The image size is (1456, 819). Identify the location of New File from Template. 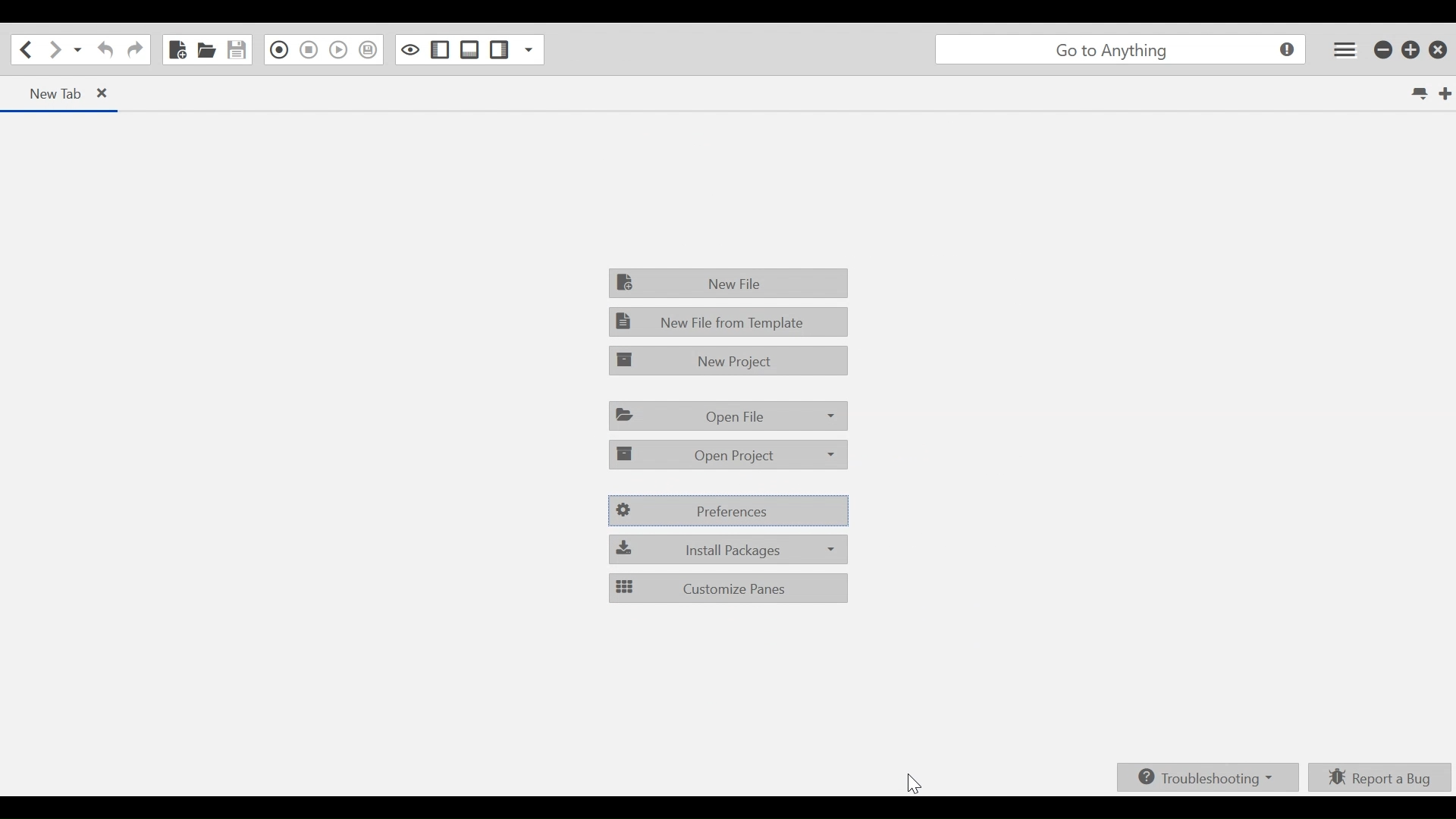
(730, 323).